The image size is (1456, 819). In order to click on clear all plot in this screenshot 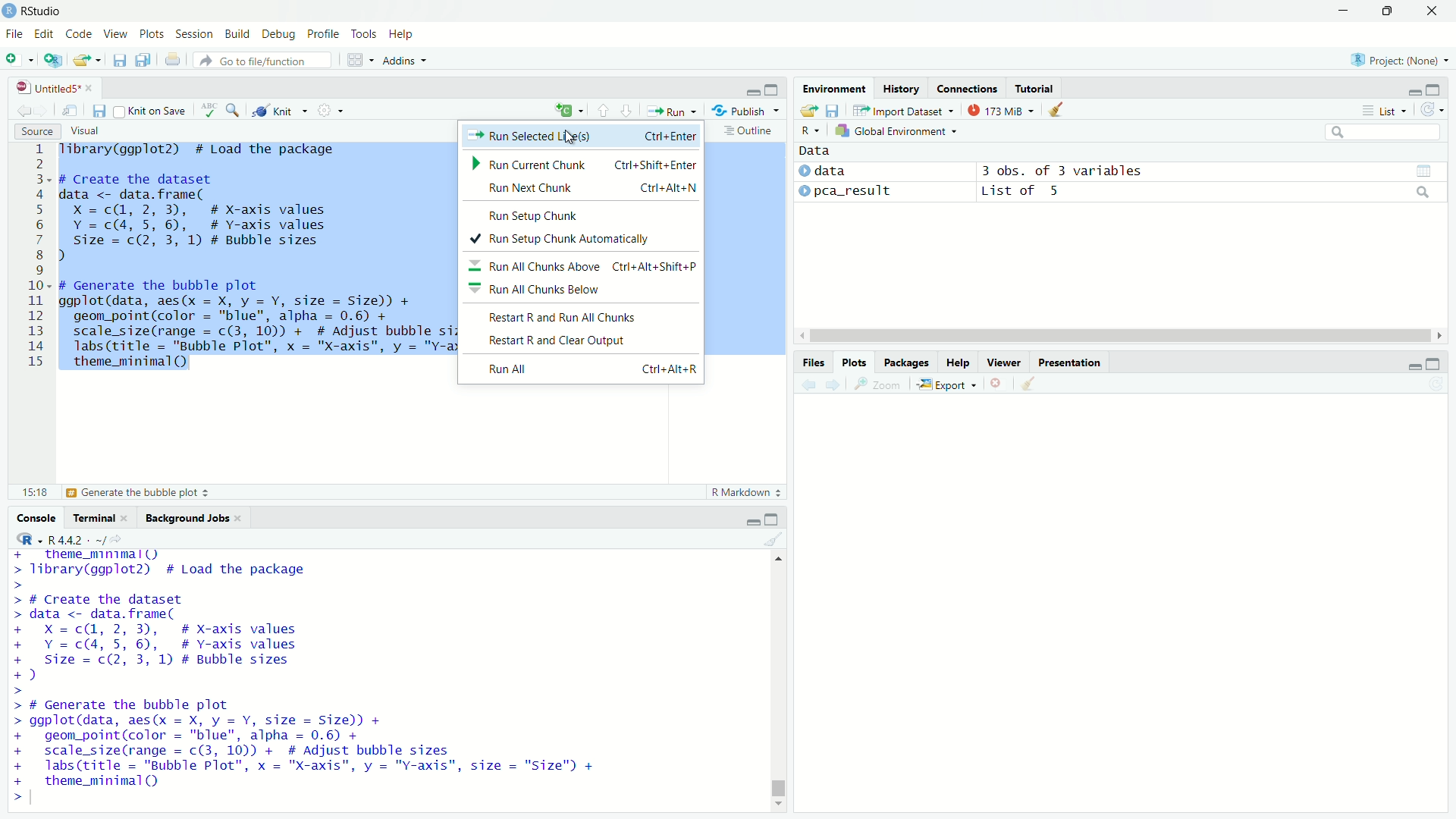, I will do `click(1030, 384)`.